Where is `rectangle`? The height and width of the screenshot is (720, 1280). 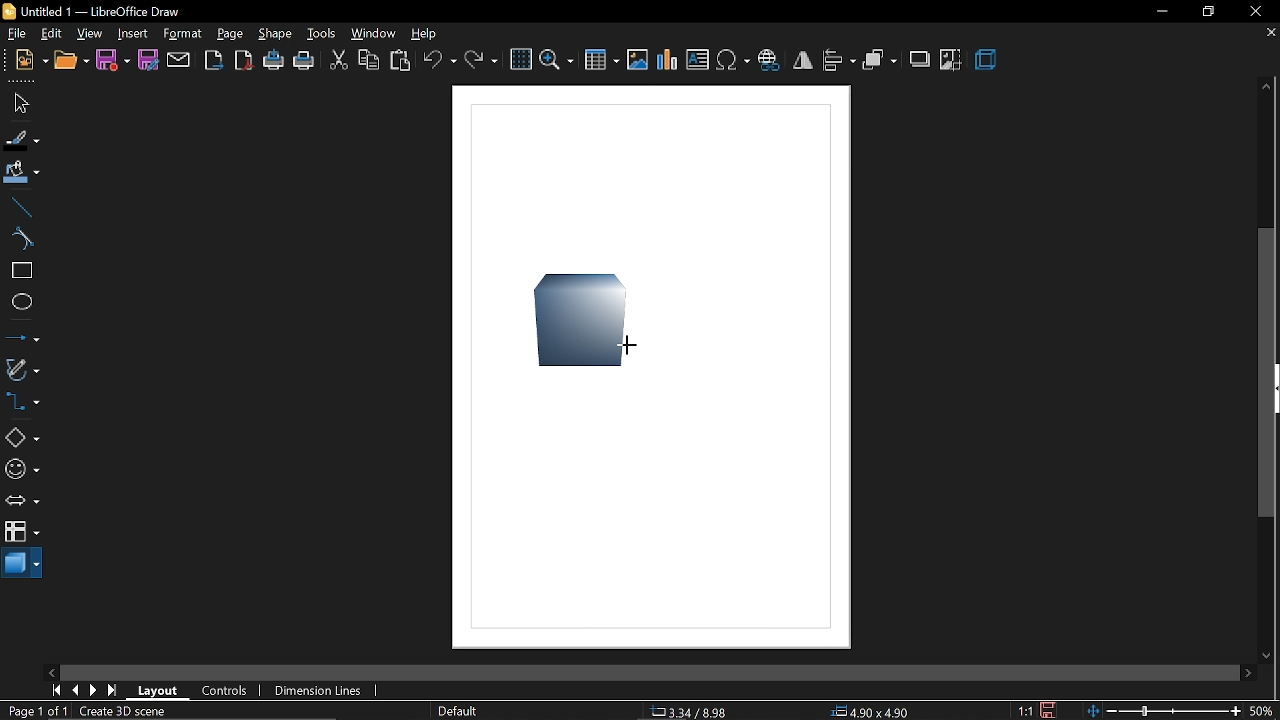
rectangle is located at coordinates (21, 272).